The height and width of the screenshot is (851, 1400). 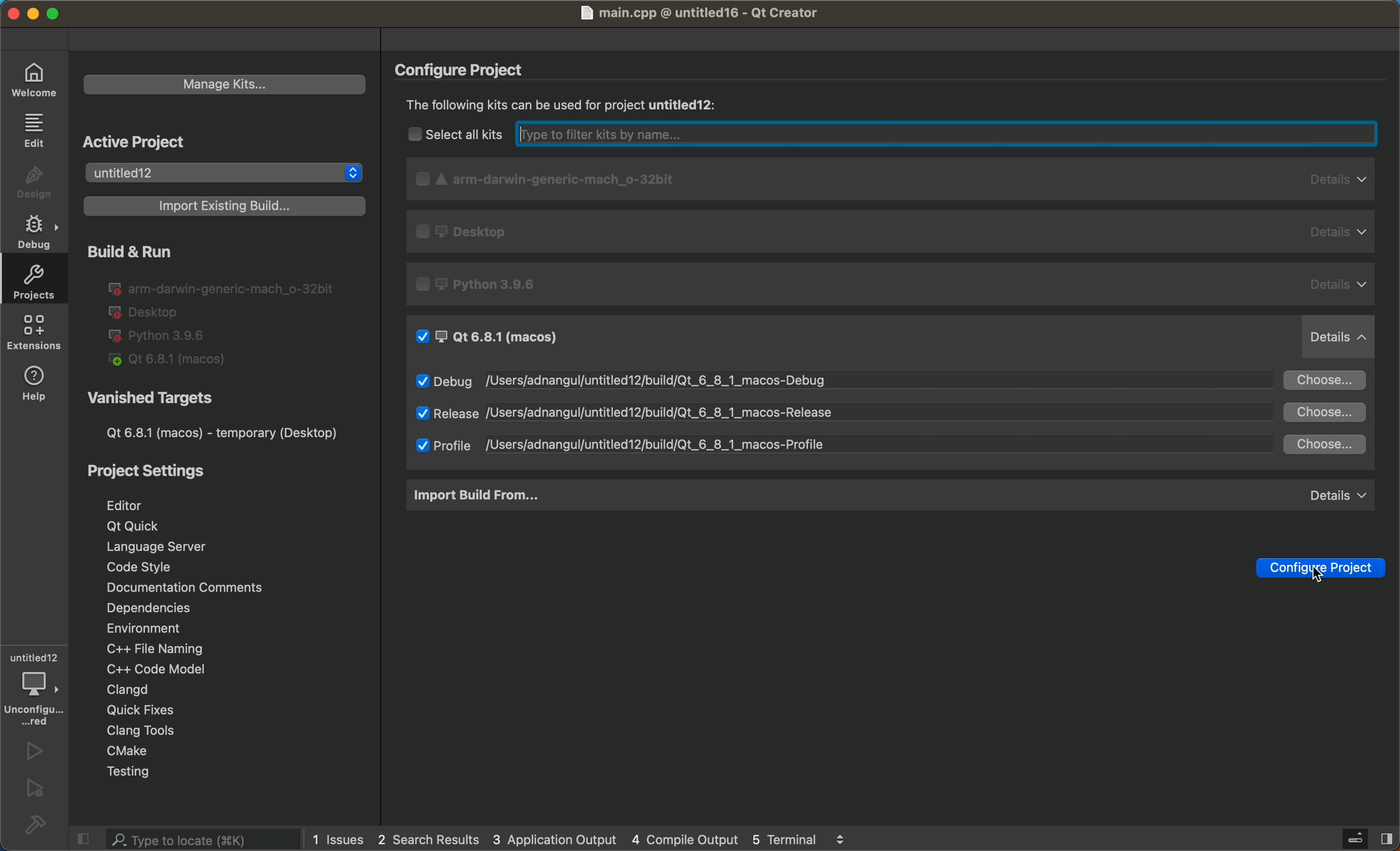 What do you see at coordinates (37, 684) in the screenshot?
I see `debugger` at bounding box center [37, 684].